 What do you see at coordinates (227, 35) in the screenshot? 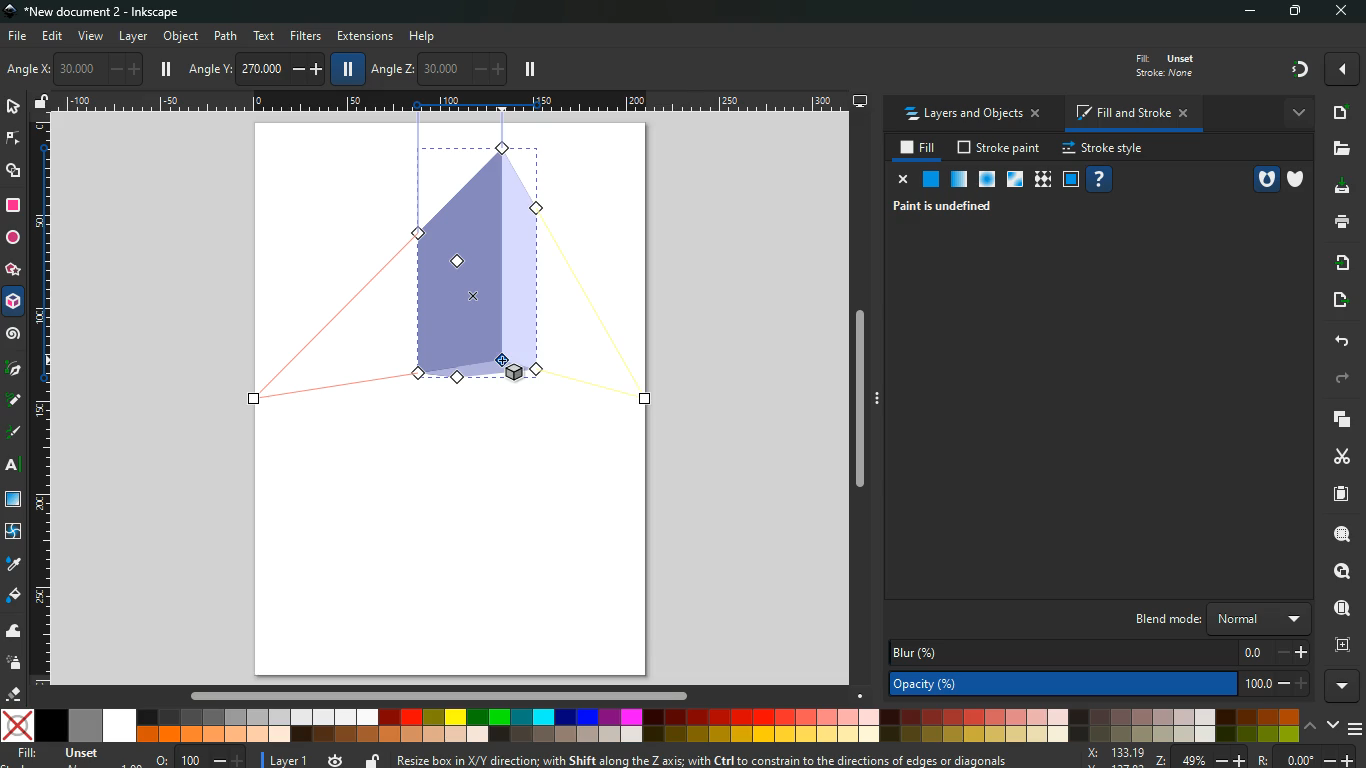
I see `path` at bounding box center [227, 35].